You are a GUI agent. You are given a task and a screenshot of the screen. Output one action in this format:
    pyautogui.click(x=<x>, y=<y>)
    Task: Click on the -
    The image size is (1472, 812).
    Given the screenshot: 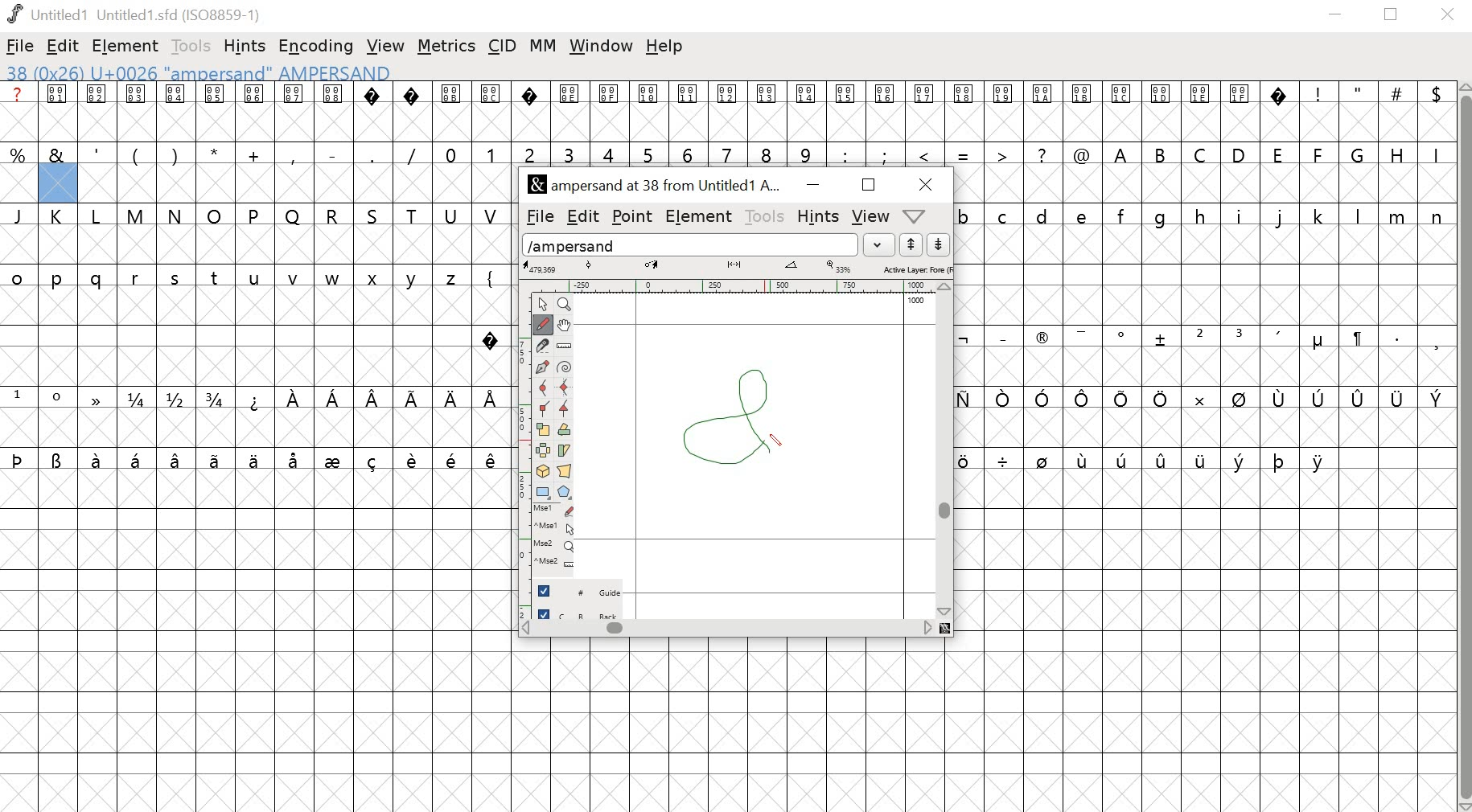 What is the action you would take?
    pyautogui.click(x=331, y=152)
    